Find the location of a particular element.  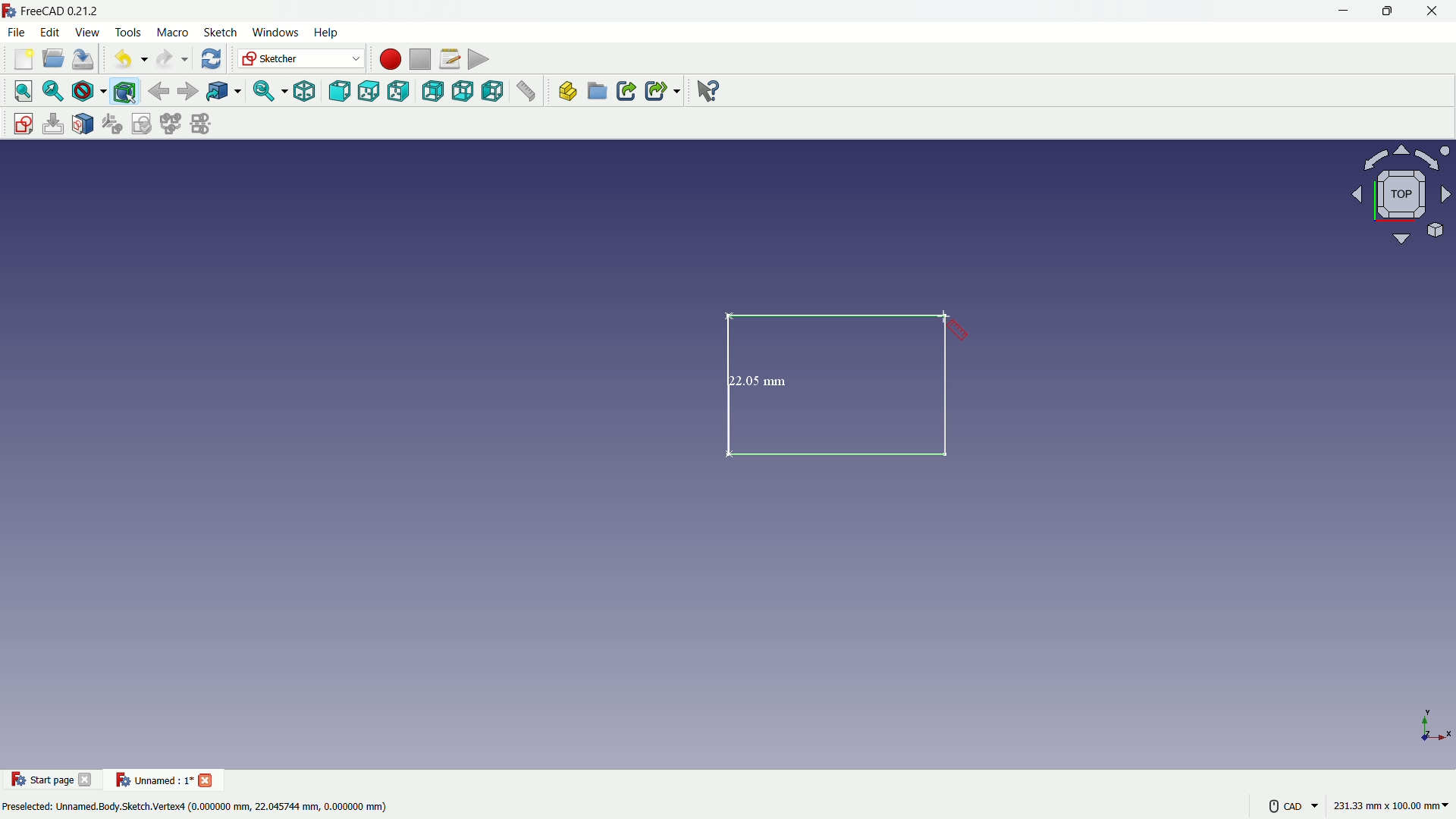

draw style is located at coordinates (89, 91).